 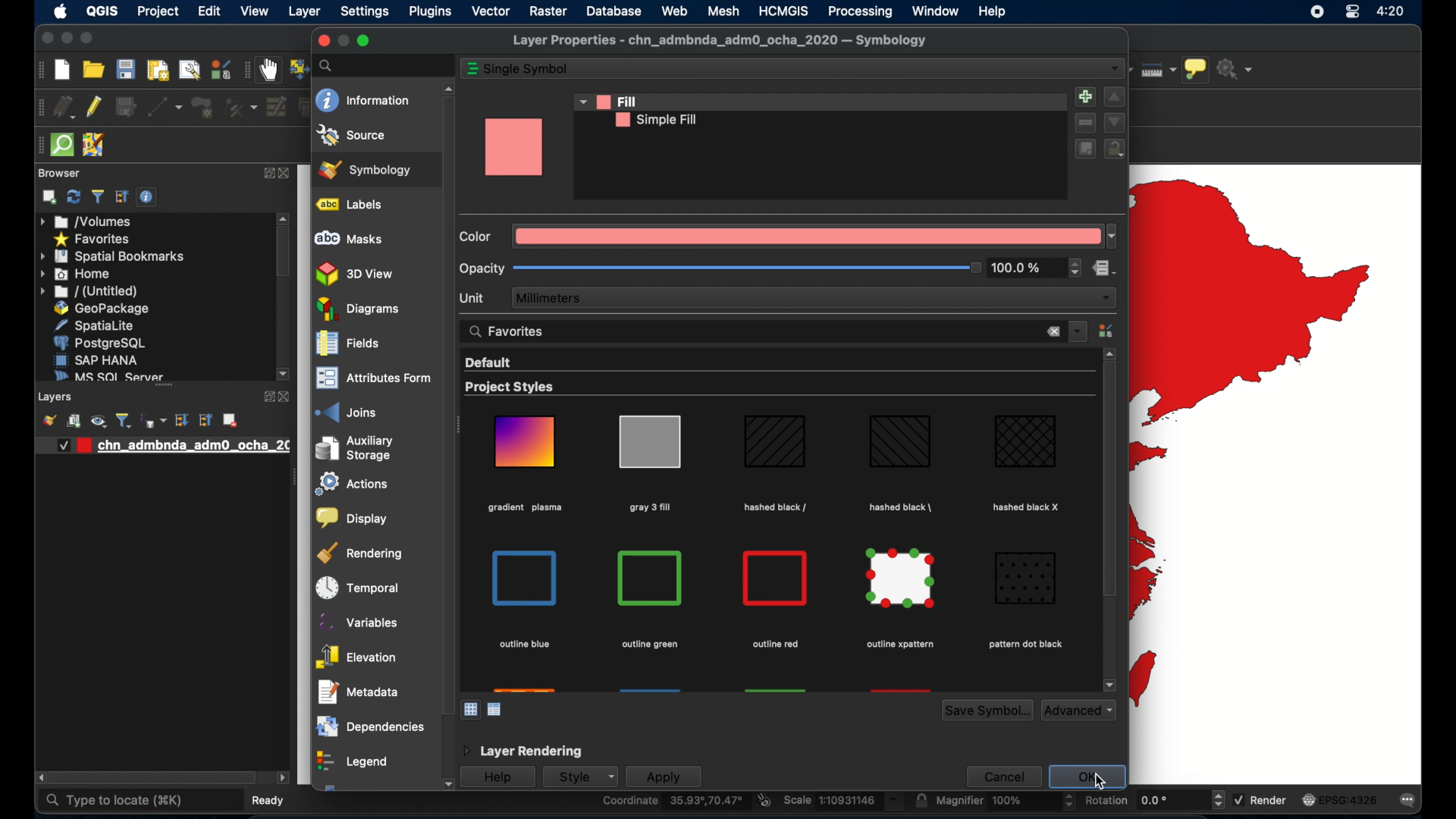 What do you see at coordinates (1084, 149) in the screenshot?
I see `duplicate symbol layer's color` at bounding box center [1084, 149].